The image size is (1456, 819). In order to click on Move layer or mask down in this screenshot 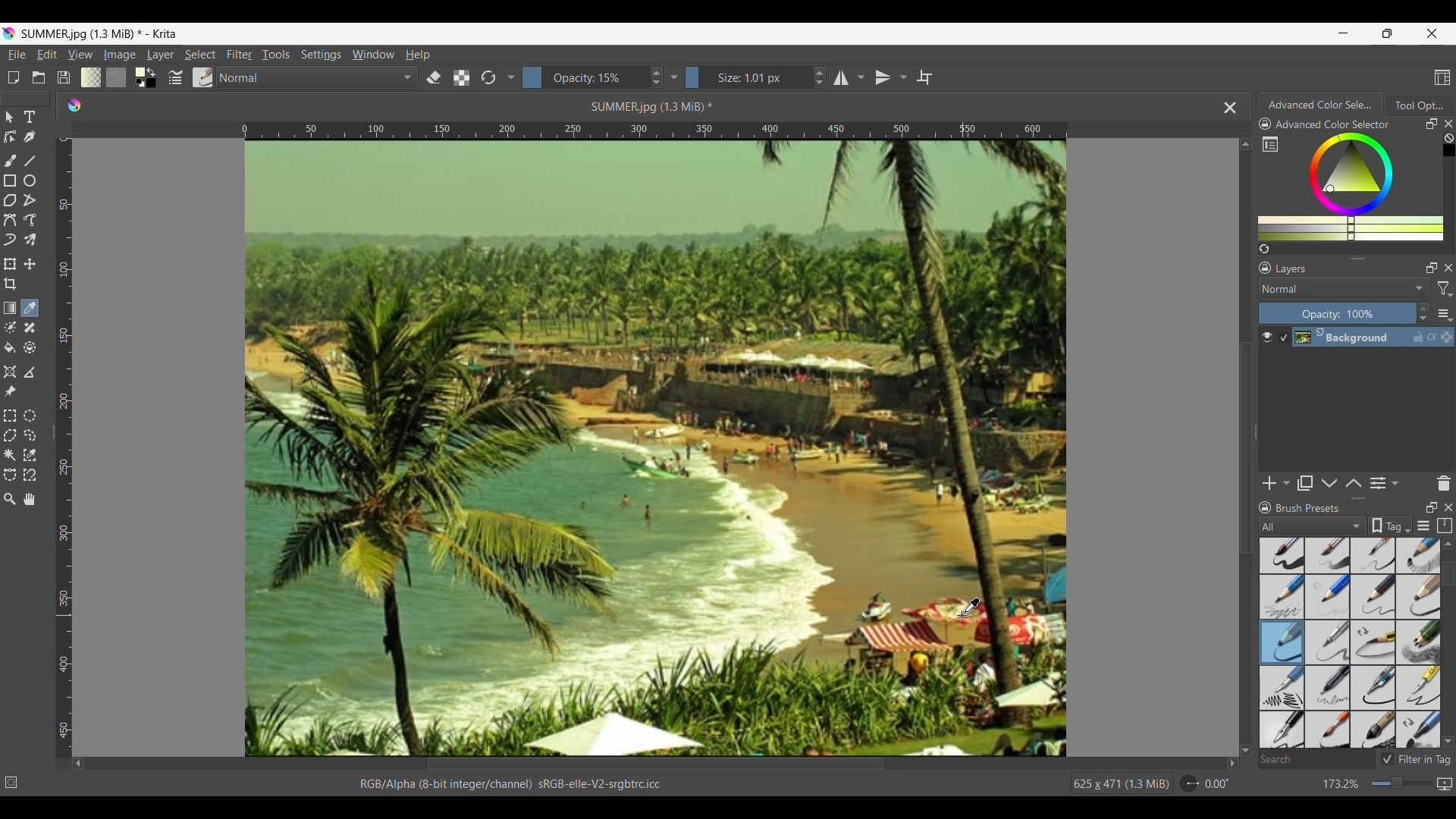, I will do `click(1329, 484)`.